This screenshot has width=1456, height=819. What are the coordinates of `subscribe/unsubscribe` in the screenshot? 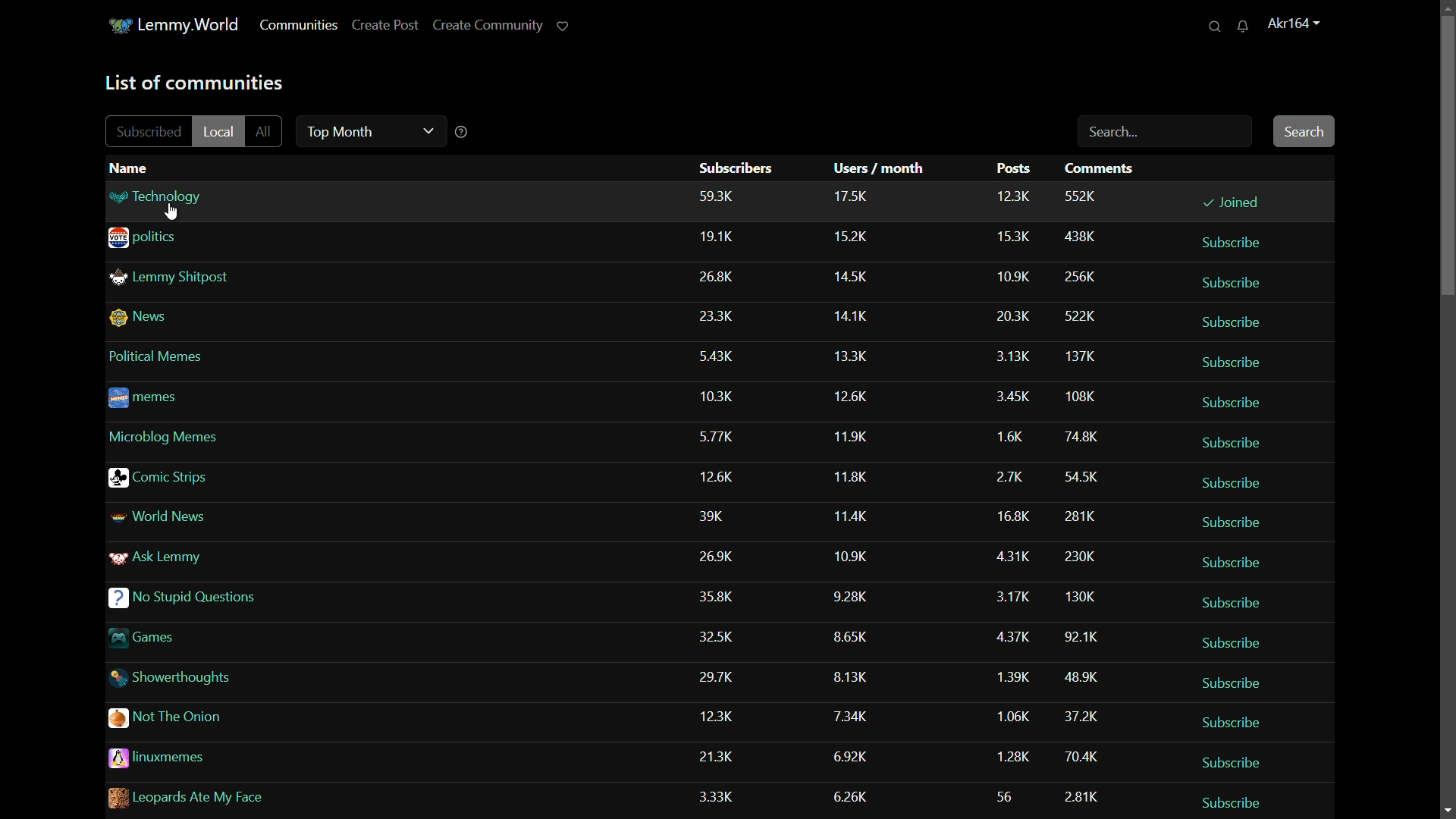 It's located at (1240, 563).